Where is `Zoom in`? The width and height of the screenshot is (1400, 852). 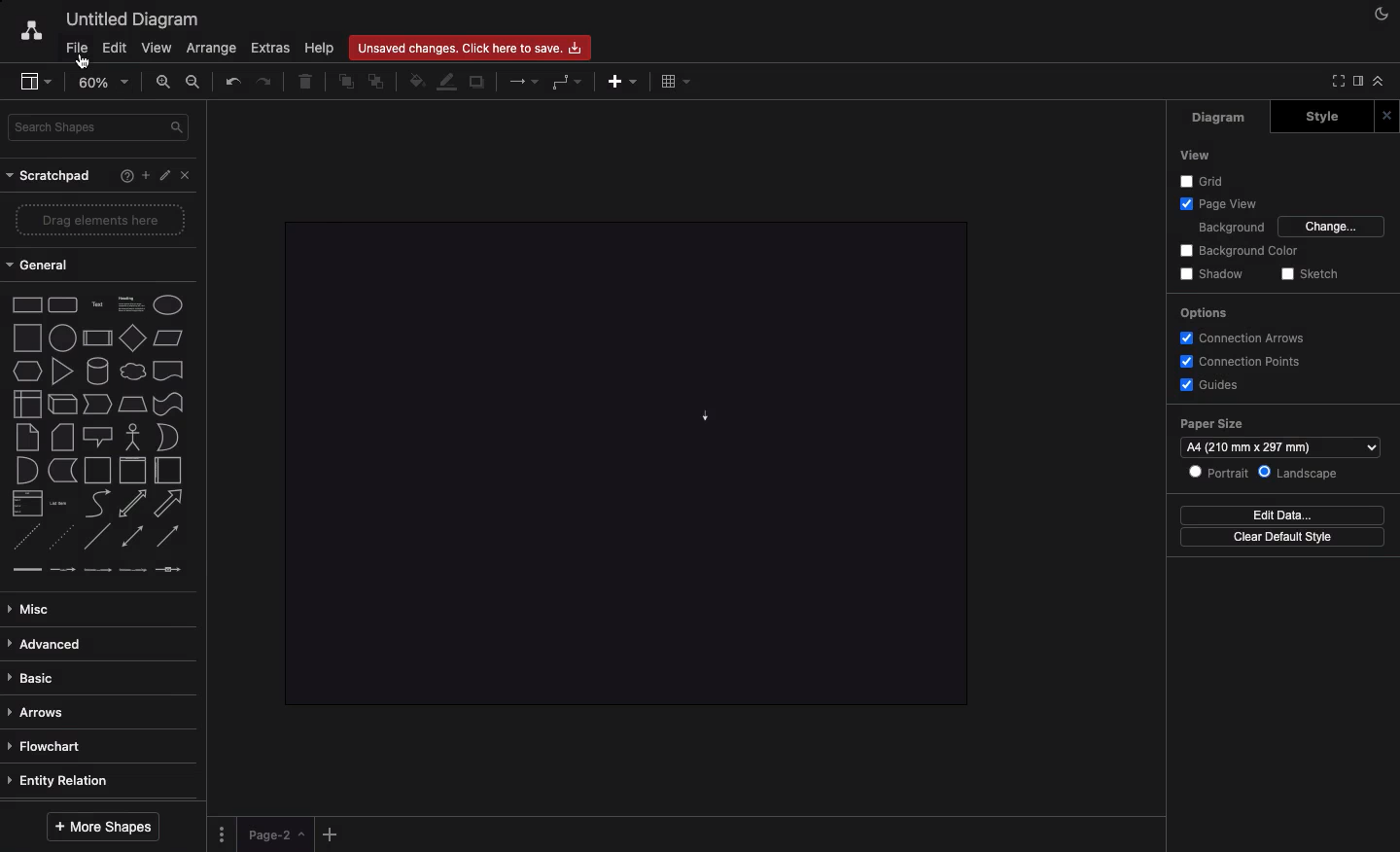
Zoom in is located at coordinates (164, 82).